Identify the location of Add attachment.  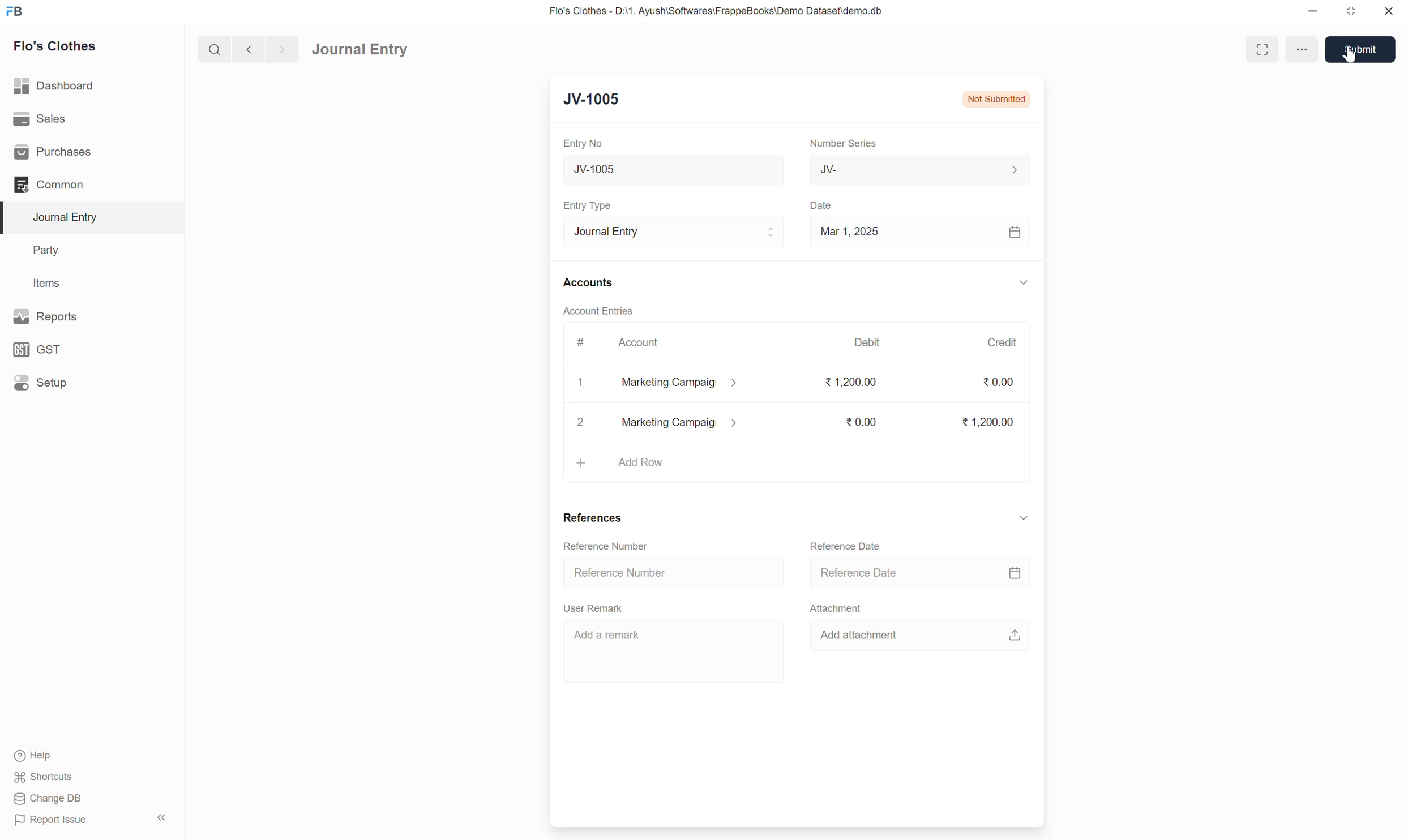
(868, 636).